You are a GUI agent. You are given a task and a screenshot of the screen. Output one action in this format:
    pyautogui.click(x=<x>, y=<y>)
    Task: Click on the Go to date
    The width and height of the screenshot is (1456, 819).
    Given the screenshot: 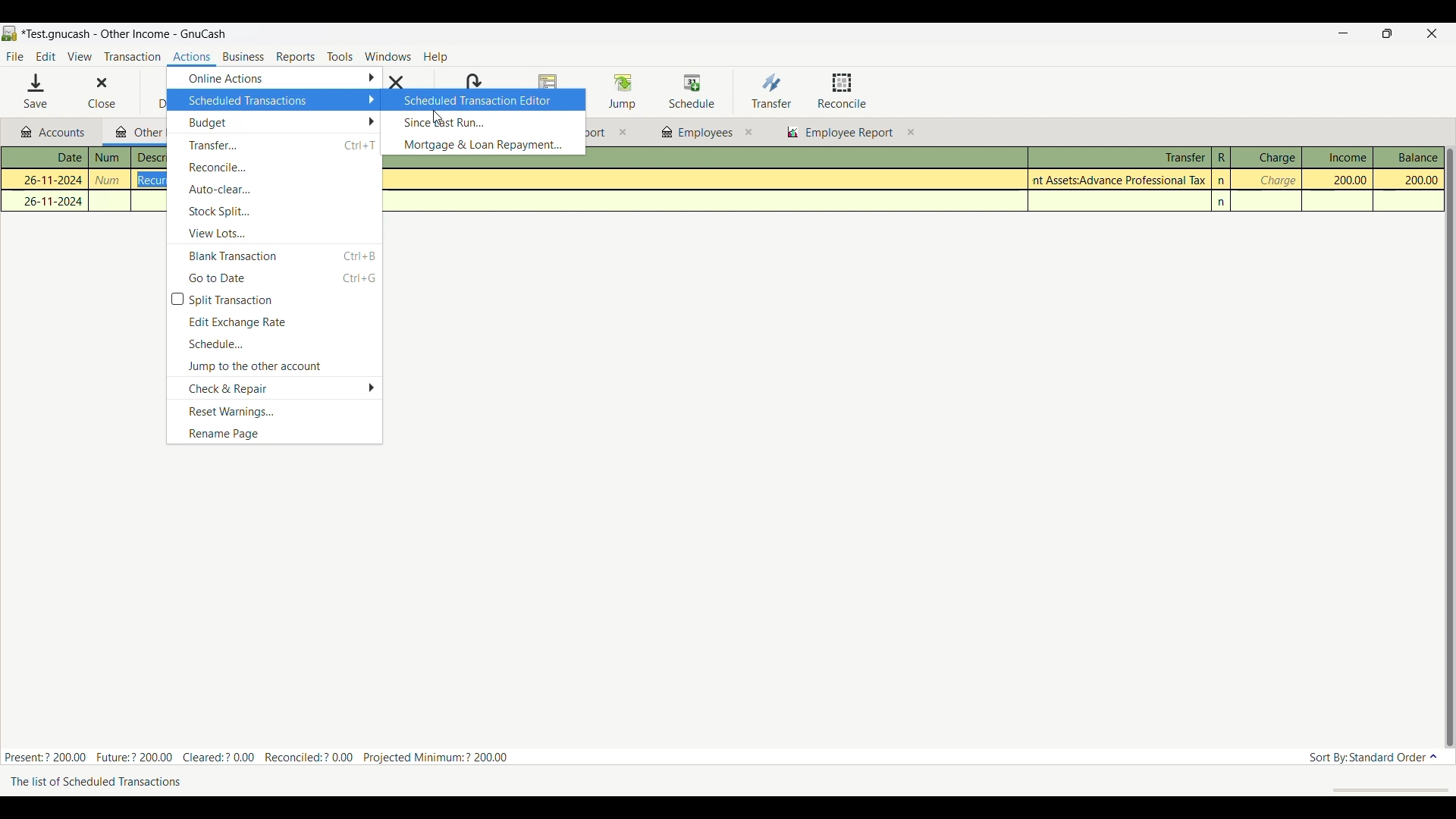 What is the action you would take?
    pyautogui.click(x=275, y=278)
    